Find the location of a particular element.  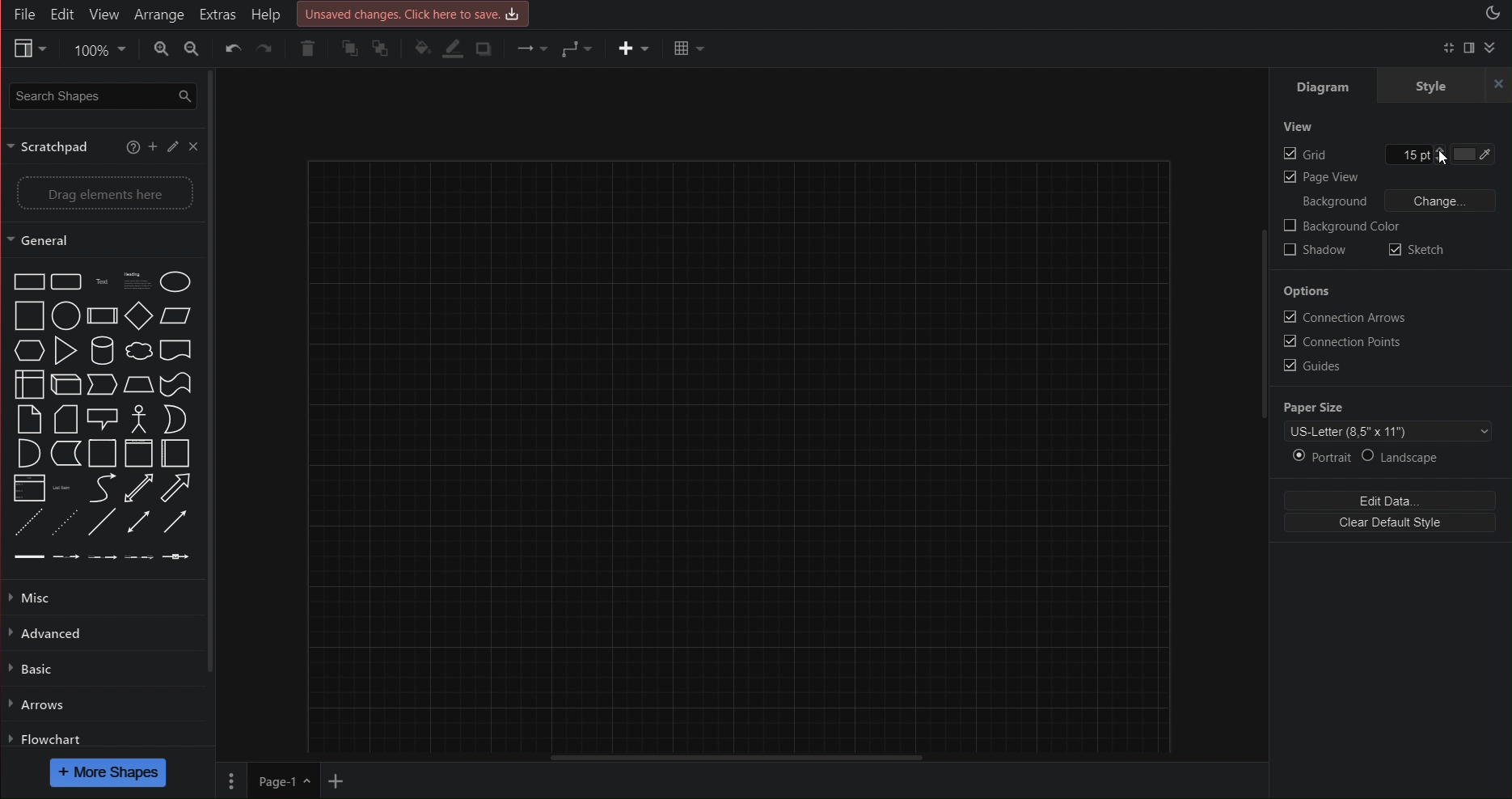

cube is located at coordinates (63, 383).